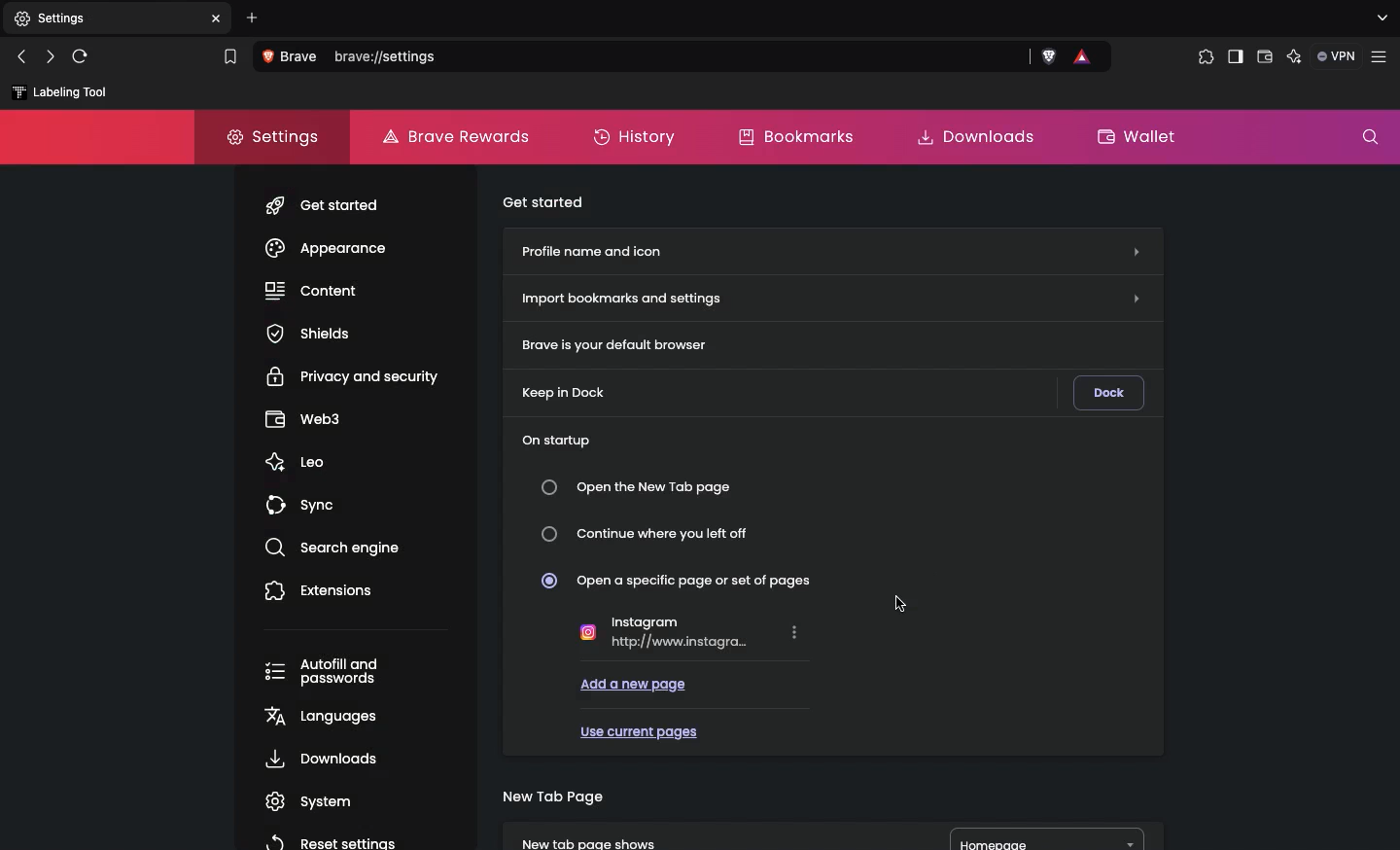 Image resolution: width=1400 pixels, height=850 pixels. I want to click on New bookmark, so click(60, 93).